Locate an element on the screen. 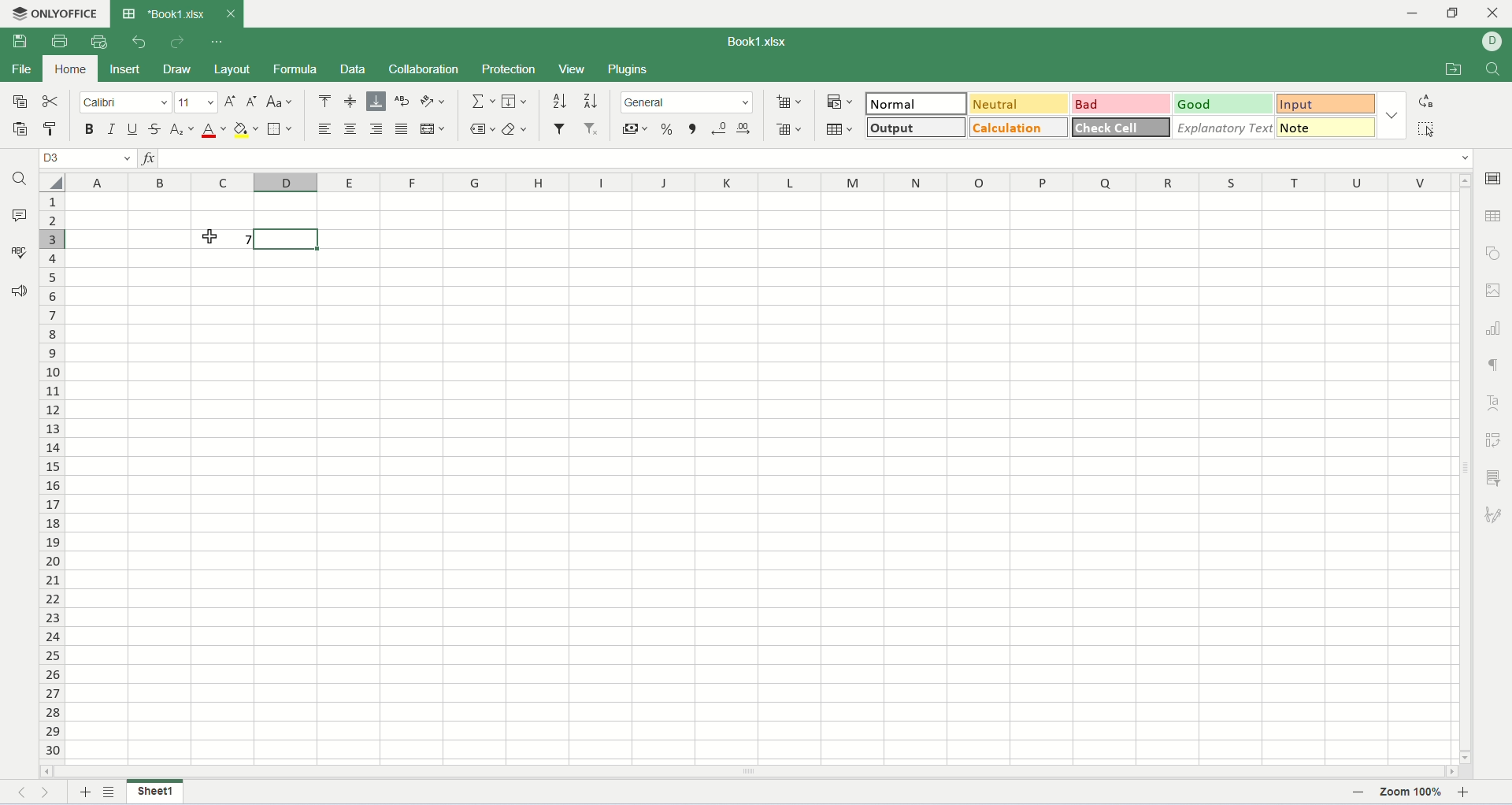  view is located at coordinates (573, 68).